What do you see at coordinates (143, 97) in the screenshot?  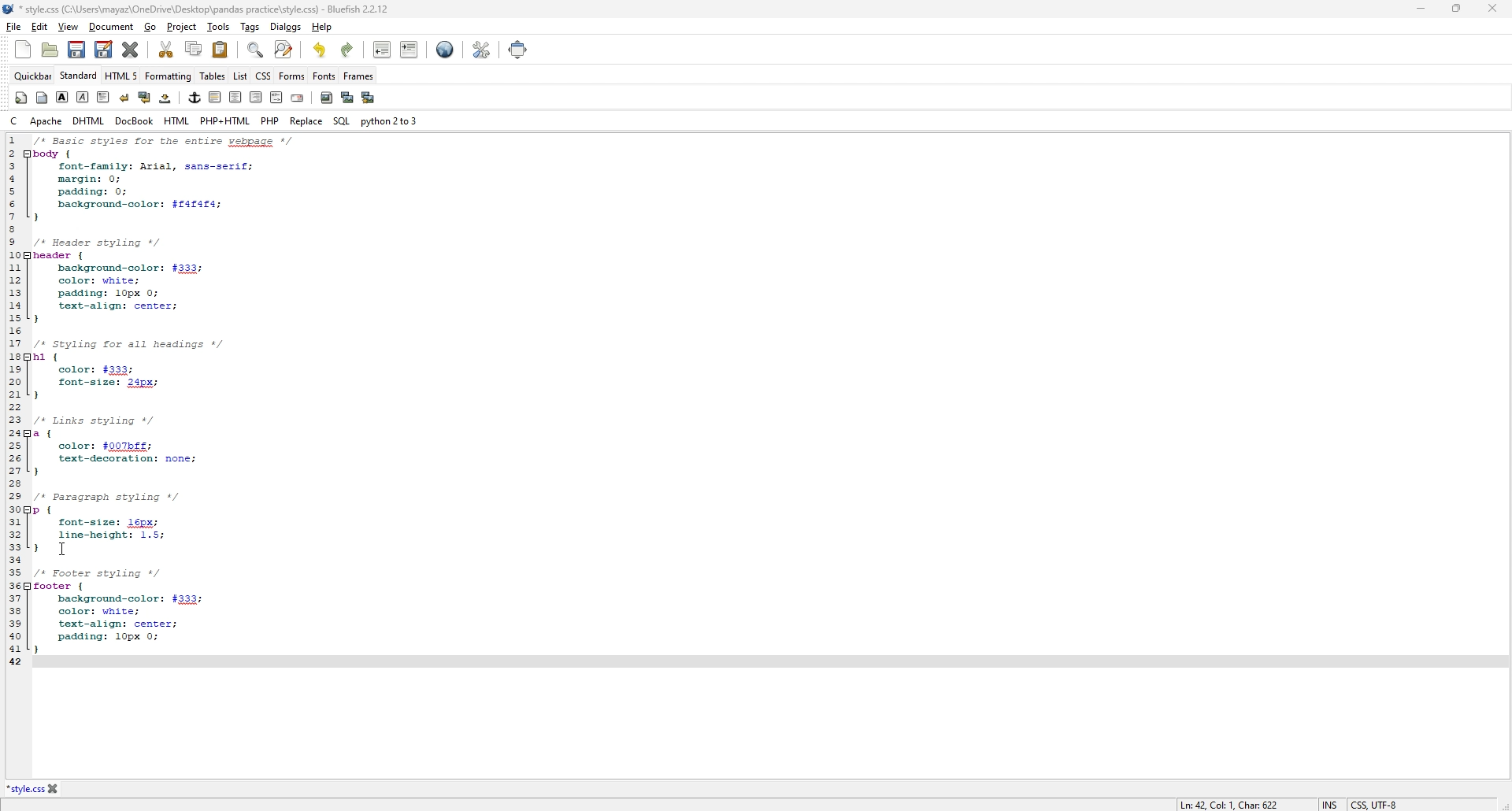 I see `break and clear` at bounding box center [143, 97].